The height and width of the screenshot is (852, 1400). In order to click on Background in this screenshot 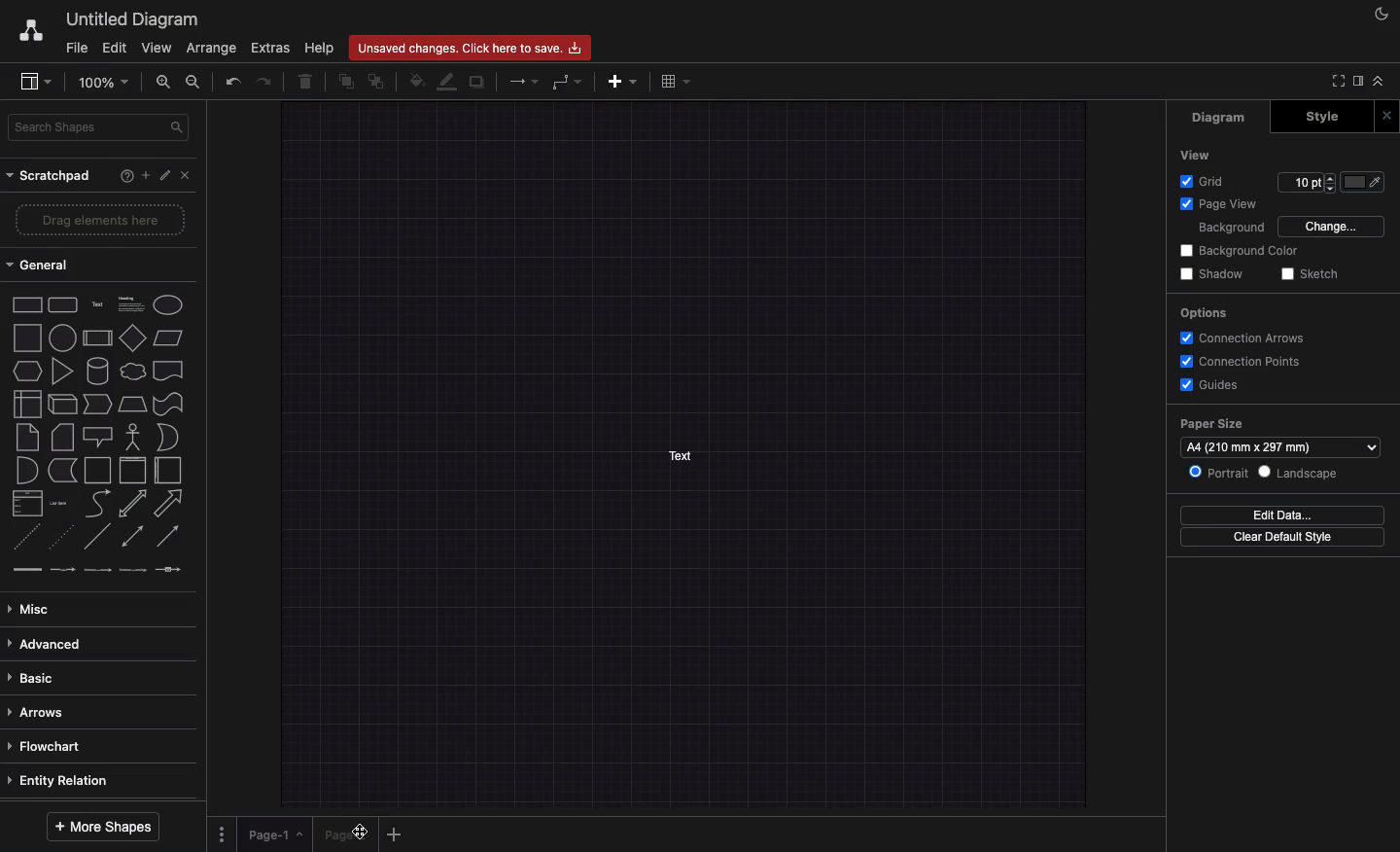, I will do `click(1231, 229)`.